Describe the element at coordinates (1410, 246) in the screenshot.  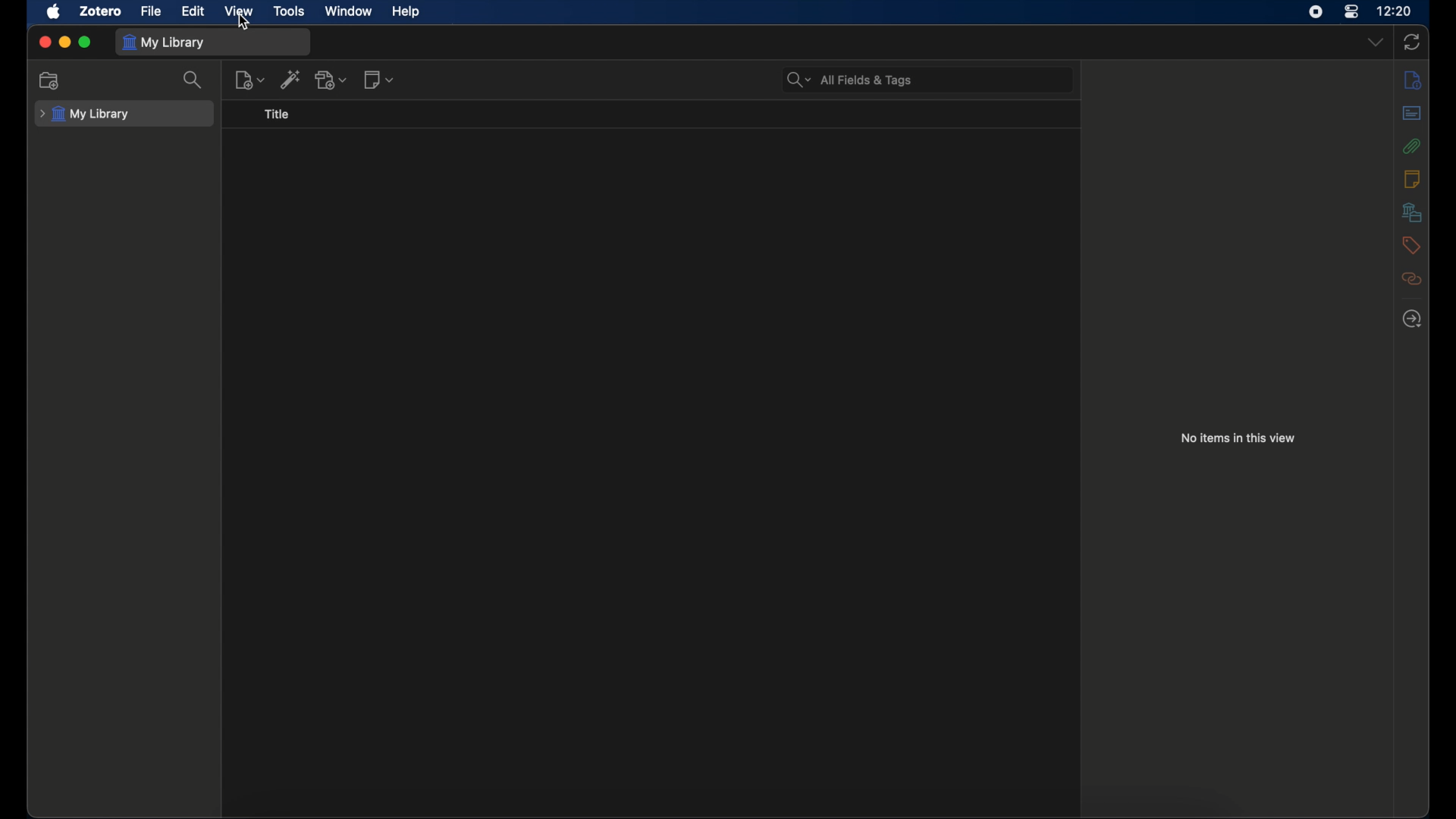
I see `tags` at that location.